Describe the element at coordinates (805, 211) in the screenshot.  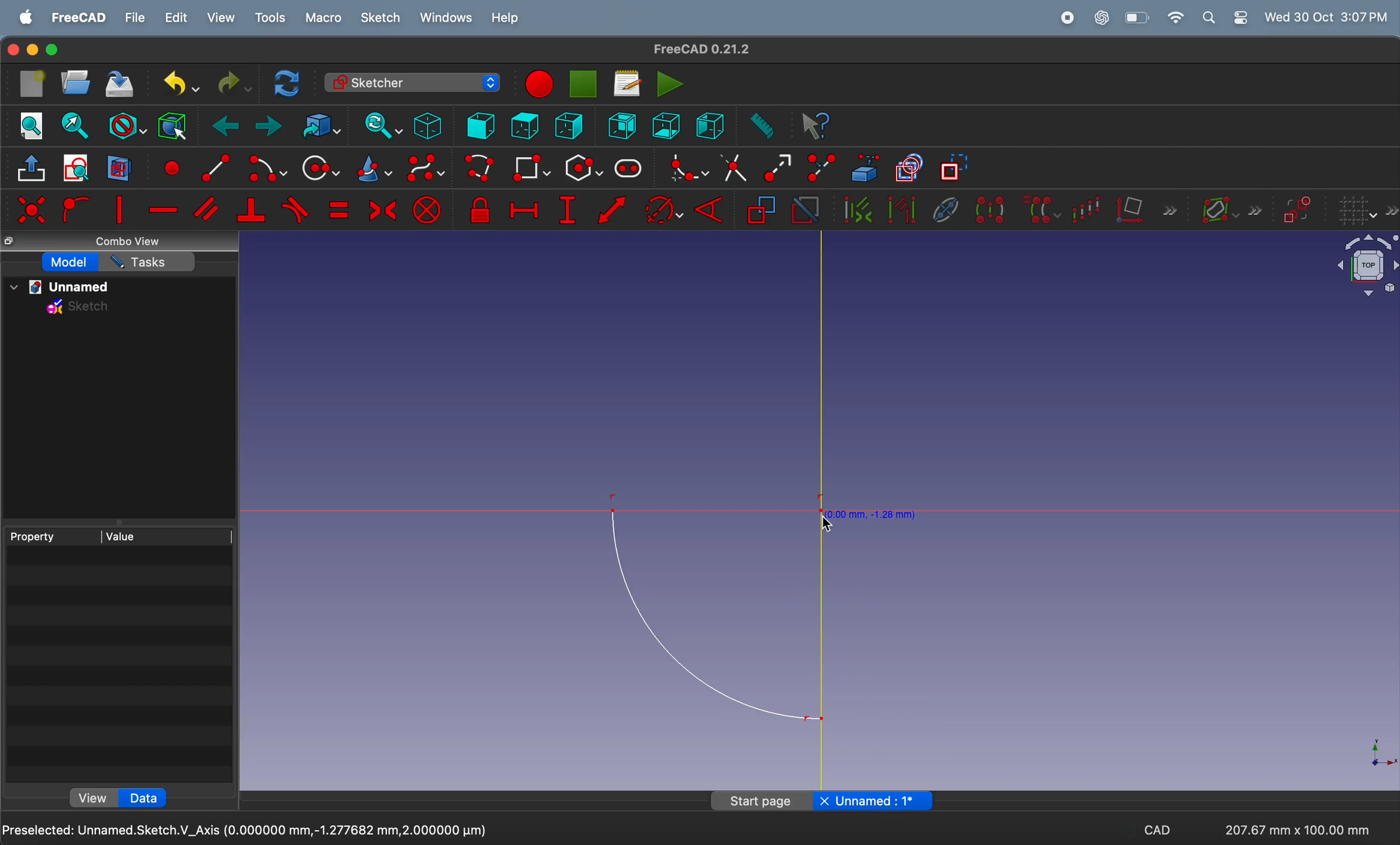
I see `activate constraint` at that location.